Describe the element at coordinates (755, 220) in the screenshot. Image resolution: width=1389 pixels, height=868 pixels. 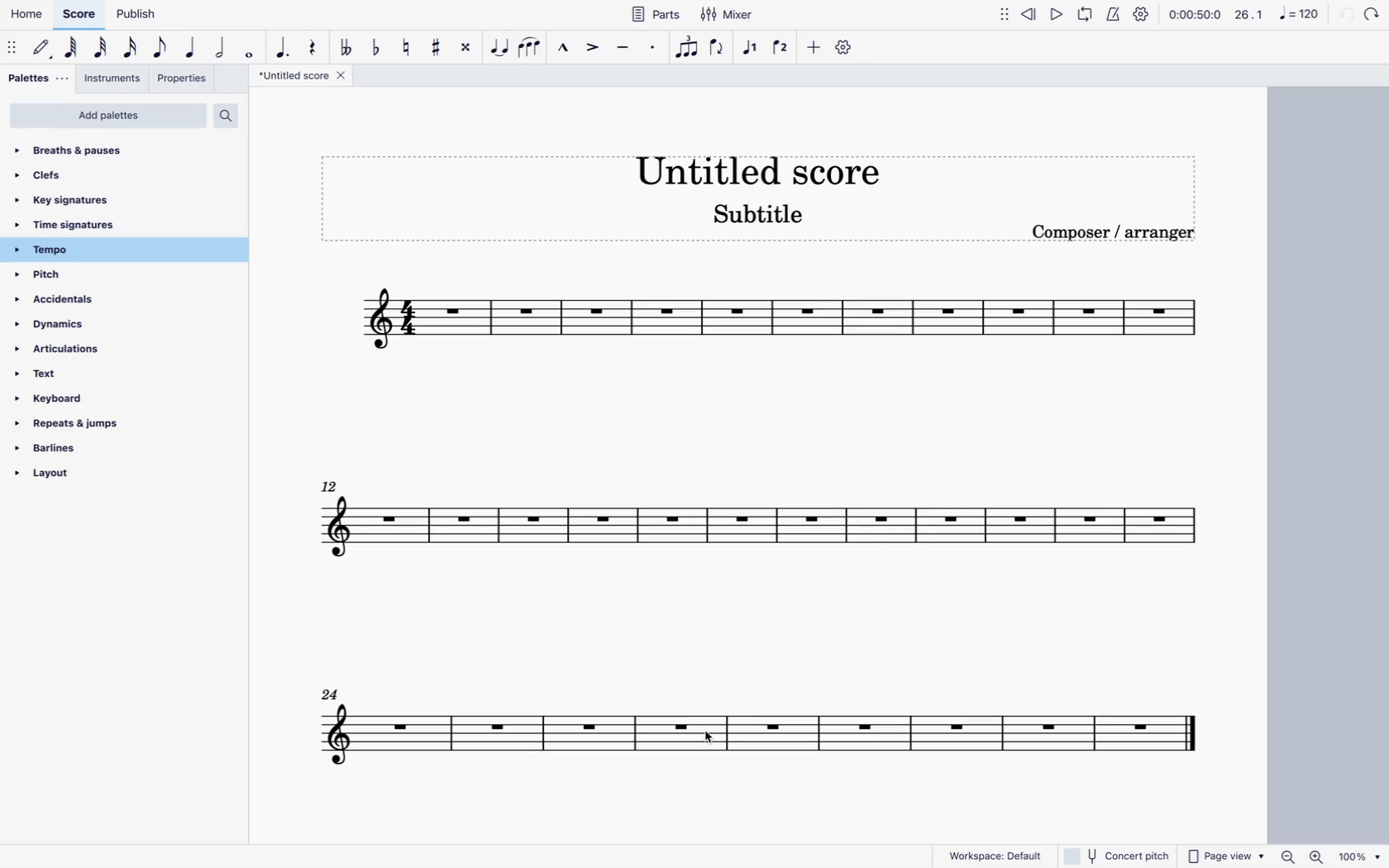
I see `score subtitle` at that location.